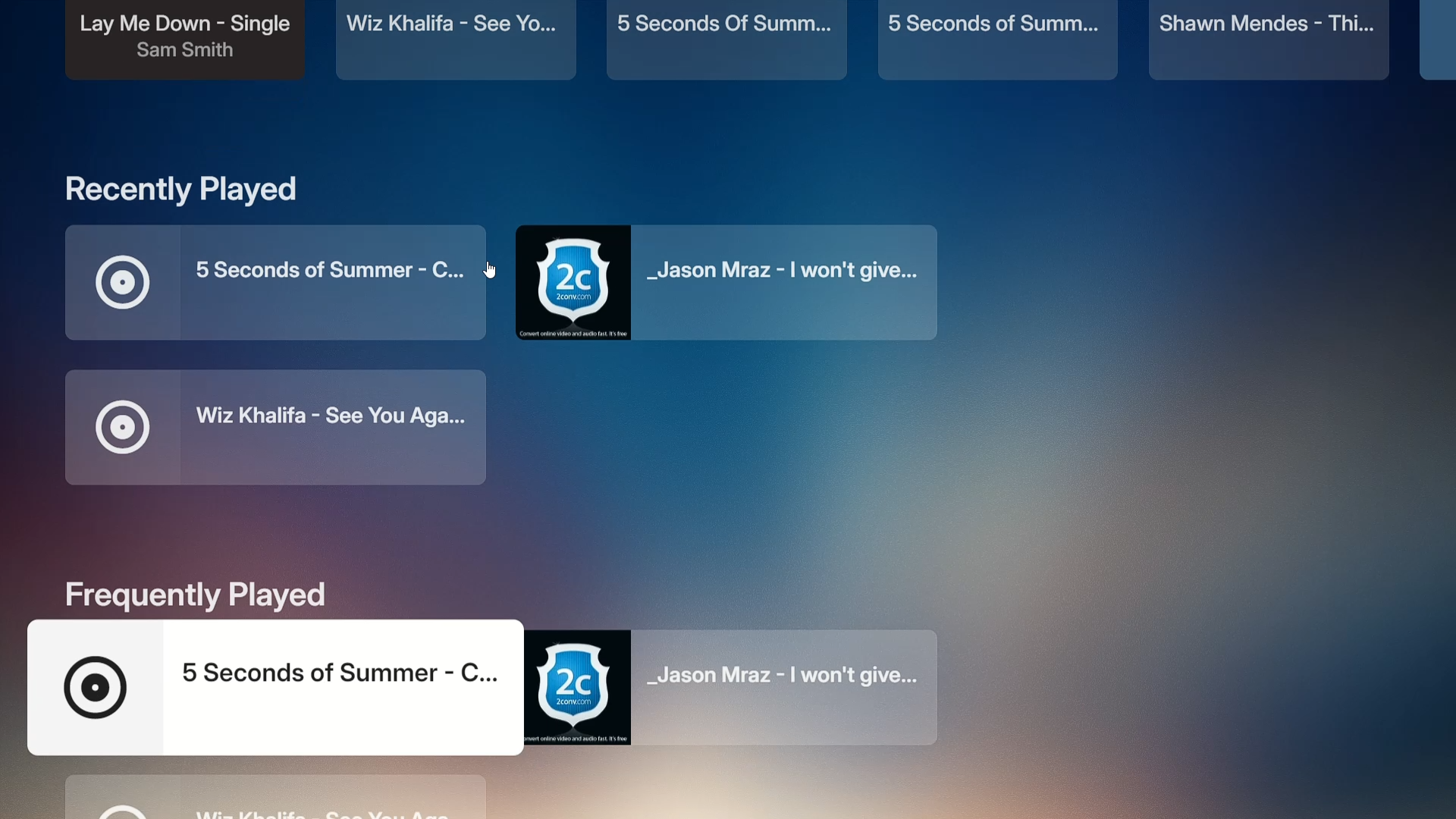 The height and width of the screenshot is (819, 1456). Describe the element at coordinates (1274, 40) in the screenshot. I see `Shawn Mendes` at that location.